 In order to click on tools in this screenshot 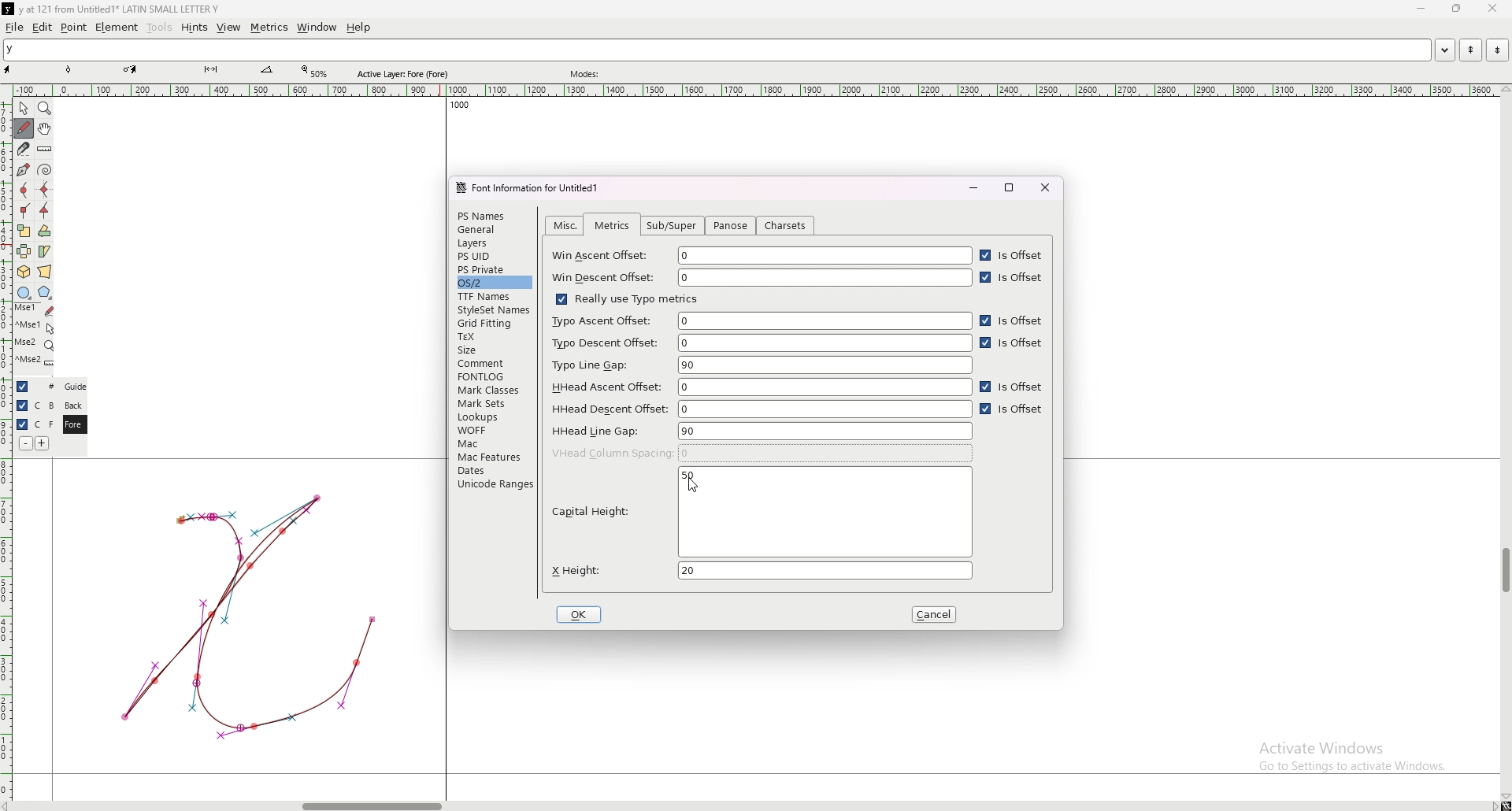, I will do `click(160, 28)`.